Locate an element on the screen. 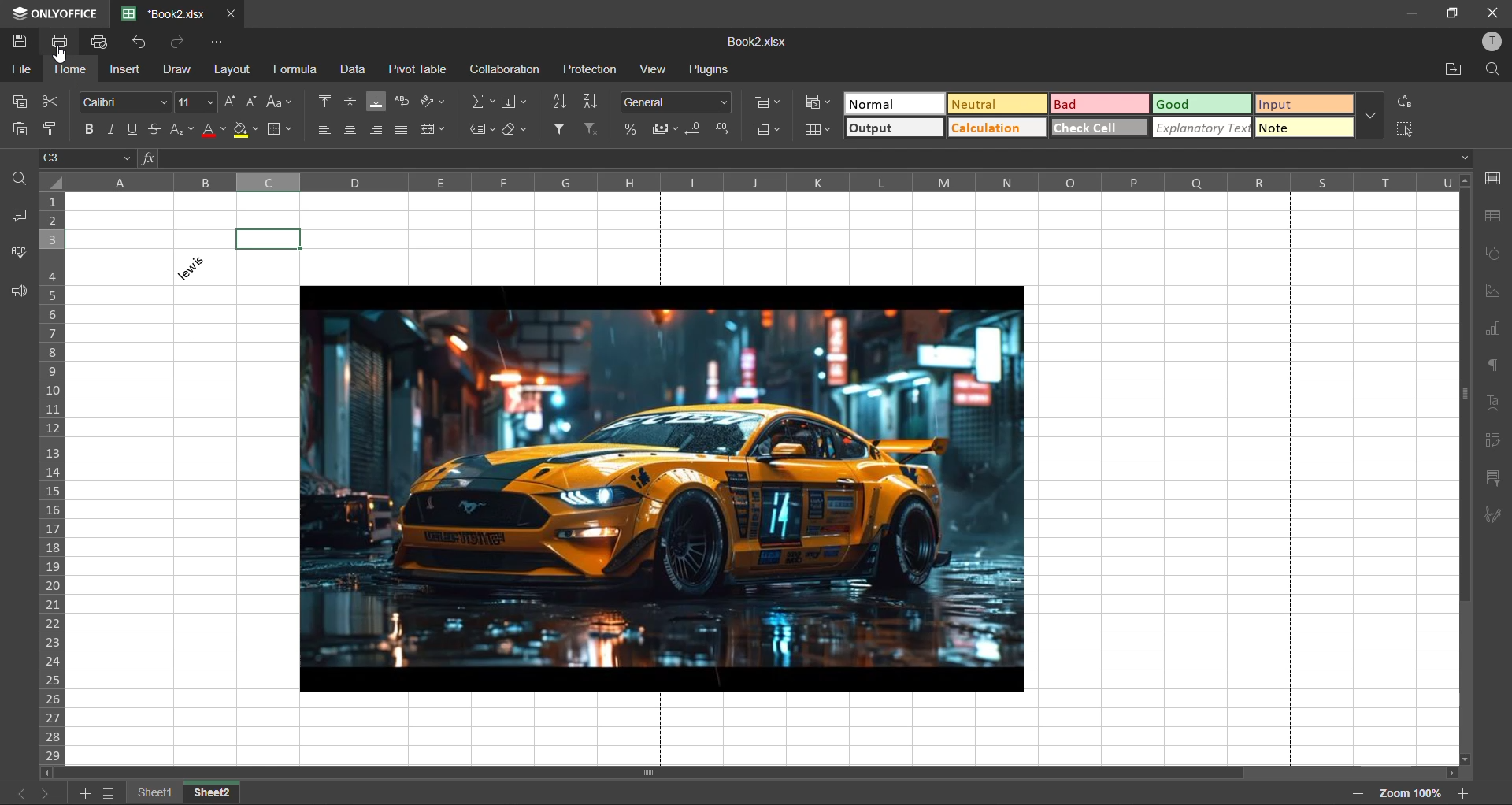 The image size is (1512, 805). font size is located at coordinates (194, 102).